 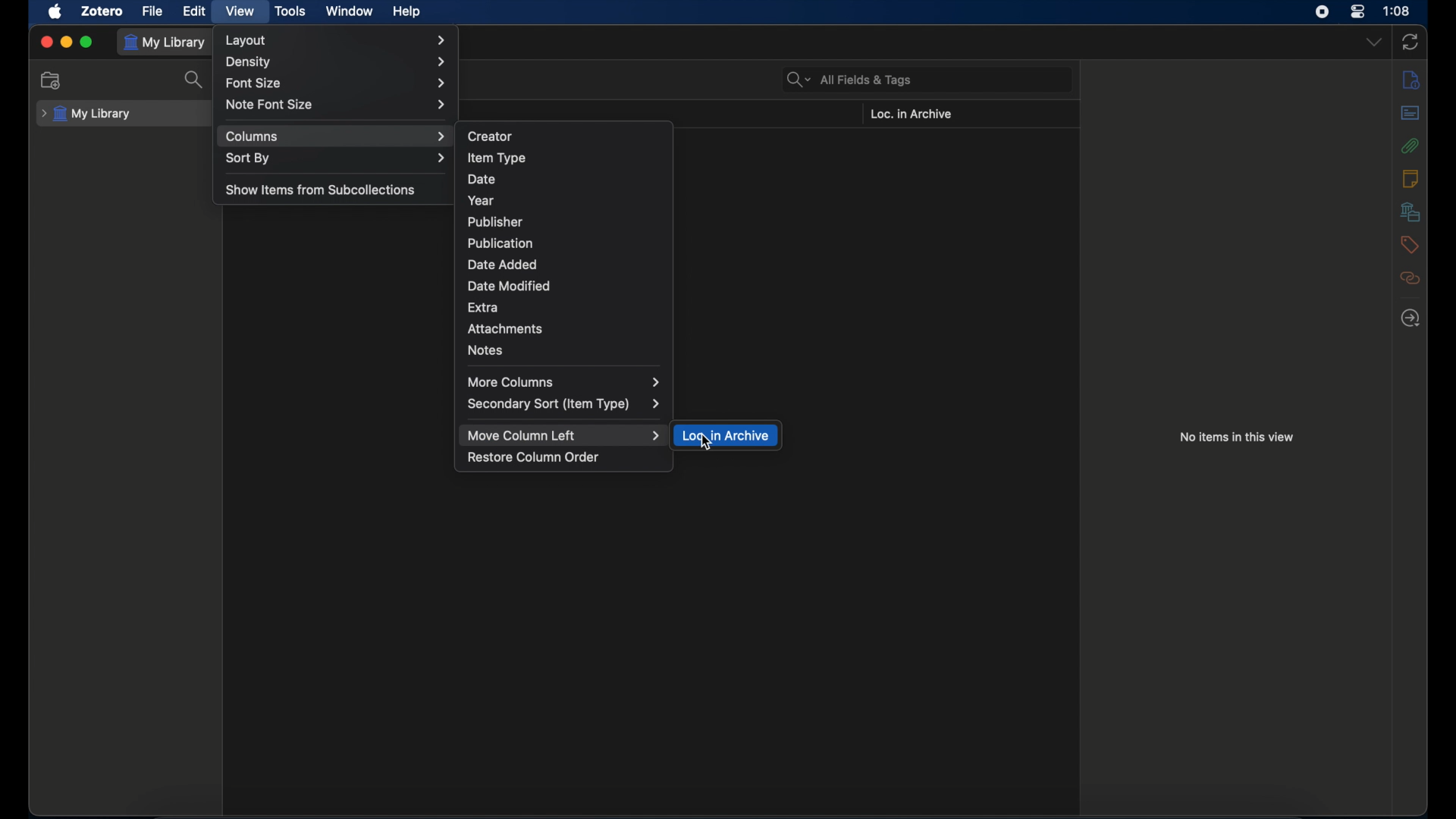 What do you see at coordinates (727, 436) in the screenshot?
I see `loc. in archive` at bounding box center [727, 436].